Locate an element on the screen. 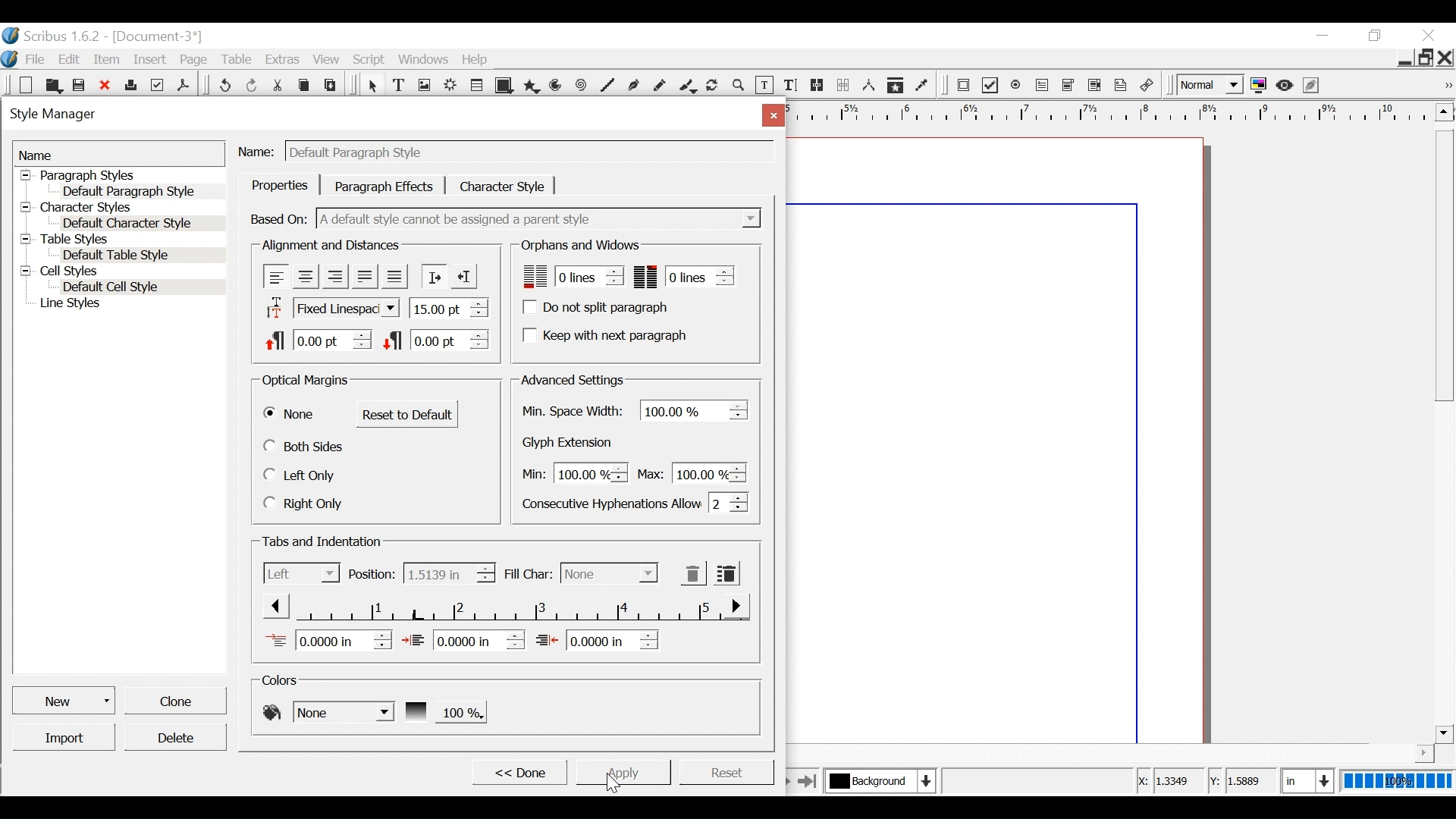  Bezier curve is located at coordinates (633, 87).